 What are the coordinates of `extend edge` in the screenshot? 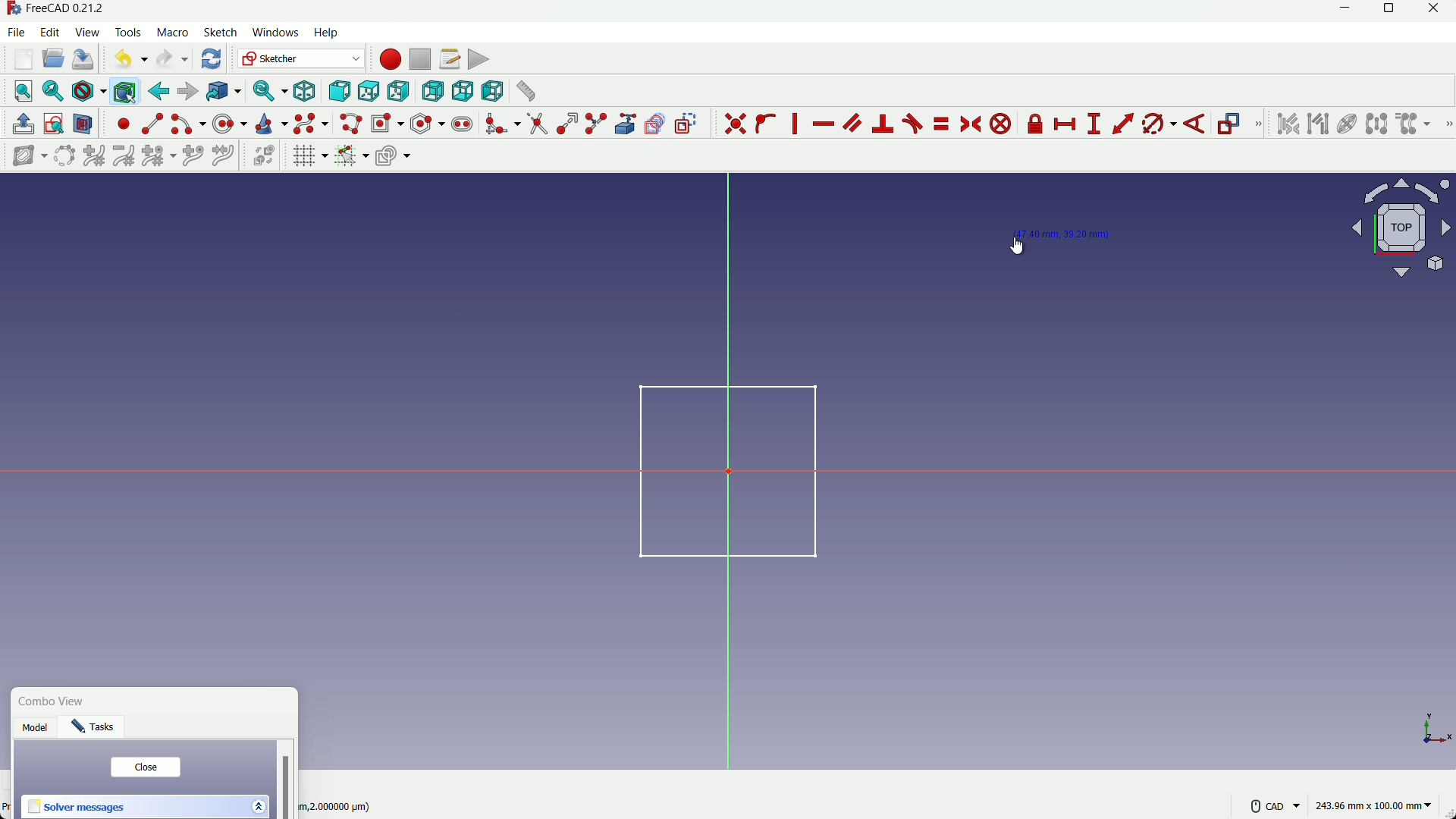 It's located at (567, 124).